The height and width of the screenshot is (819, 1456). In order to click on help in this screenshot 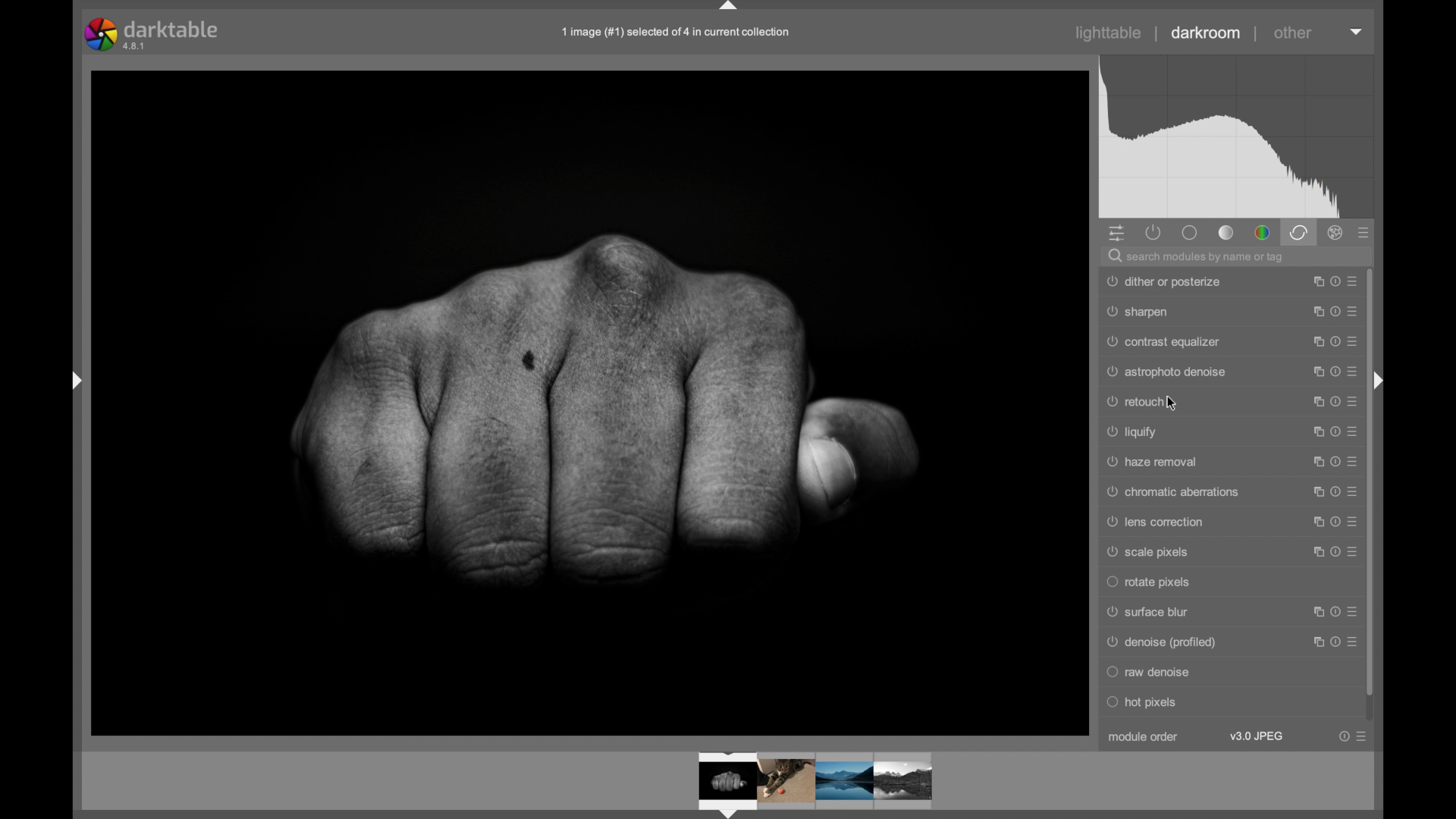, I will do `click(1332, 371)`.